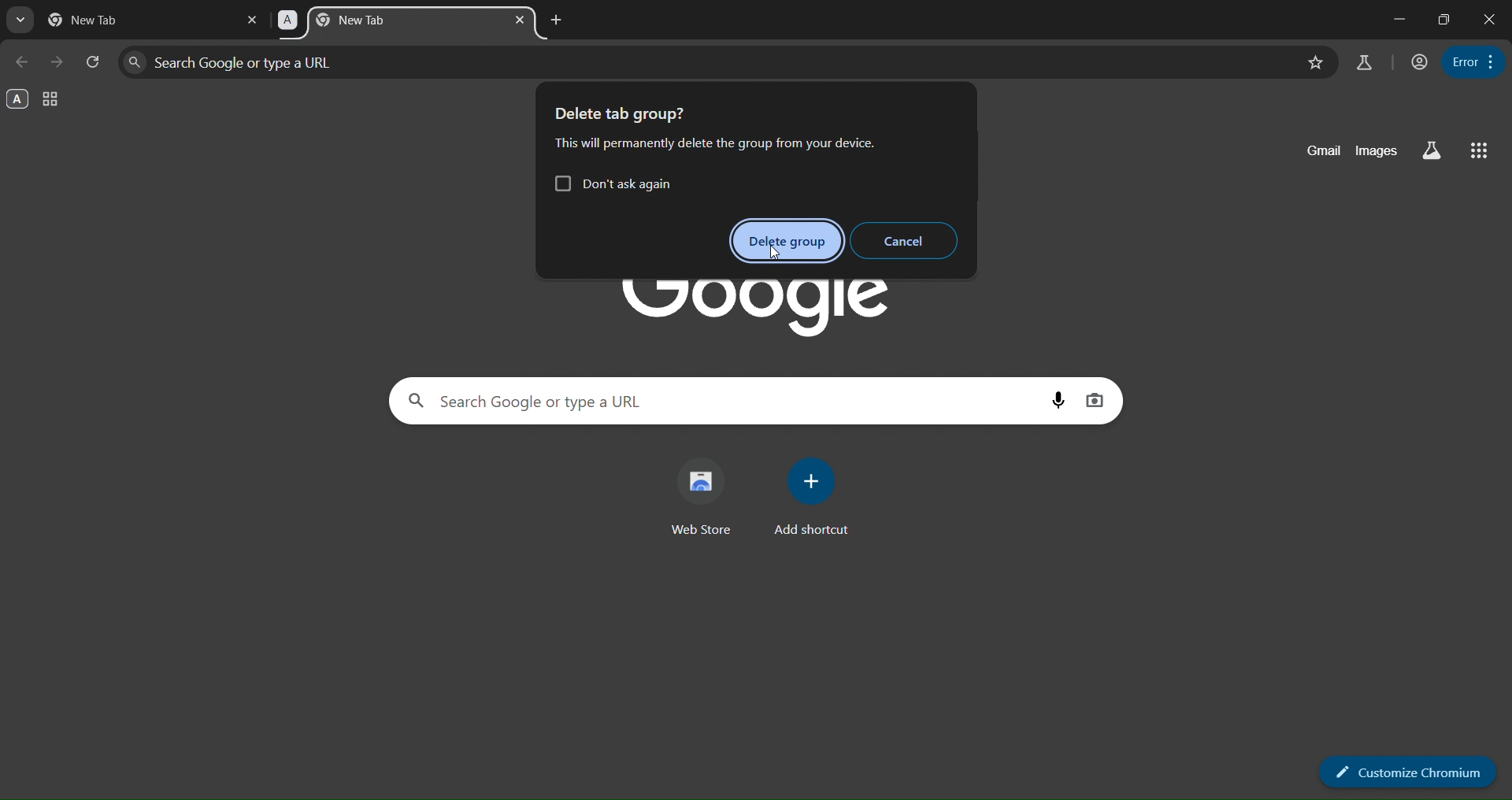  Describe the element at coordinates (902, 242) in the screenshot. I see `cancel` at that location.